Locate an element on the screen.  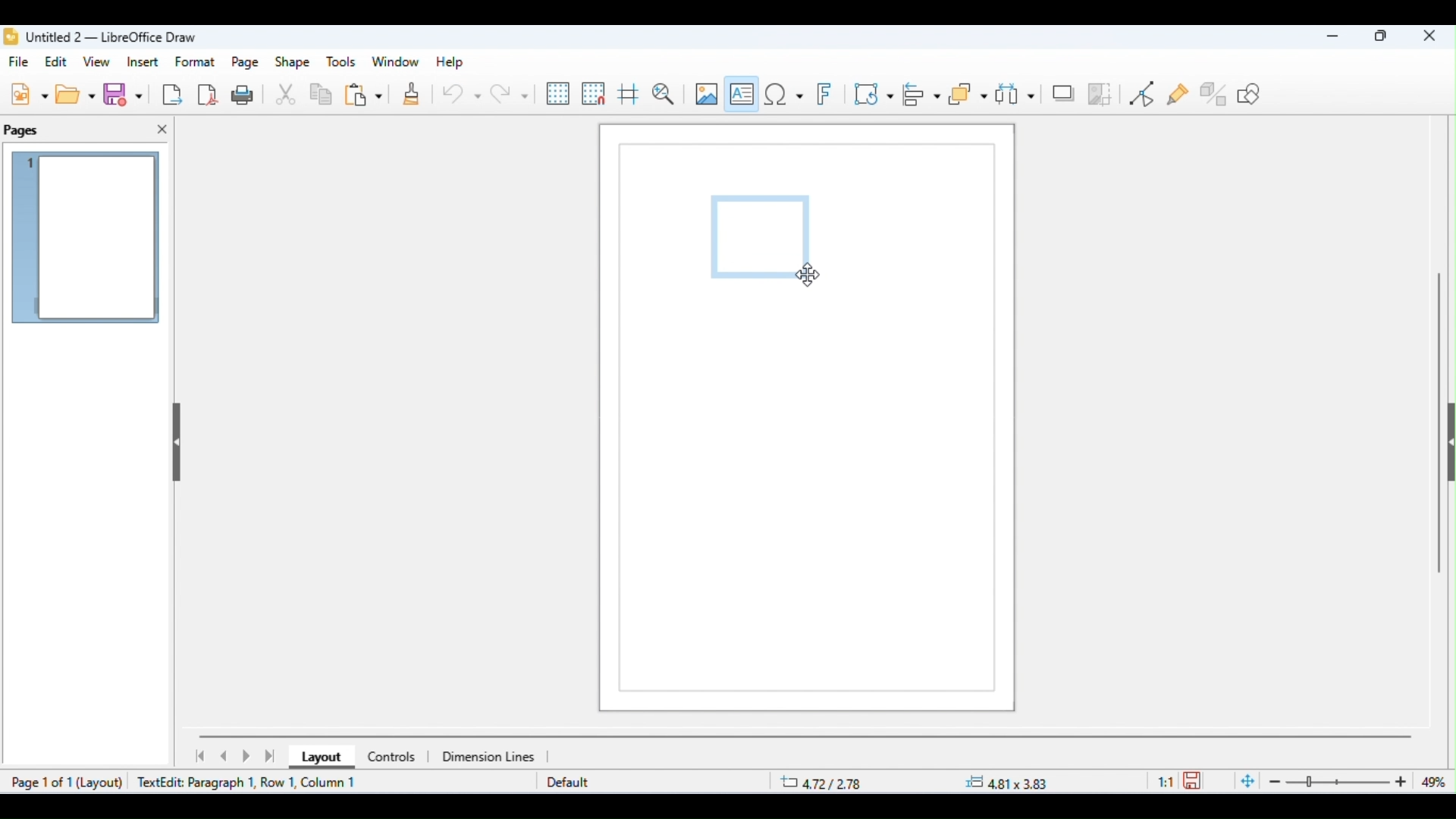
first page is located at coordinates (199, 756).